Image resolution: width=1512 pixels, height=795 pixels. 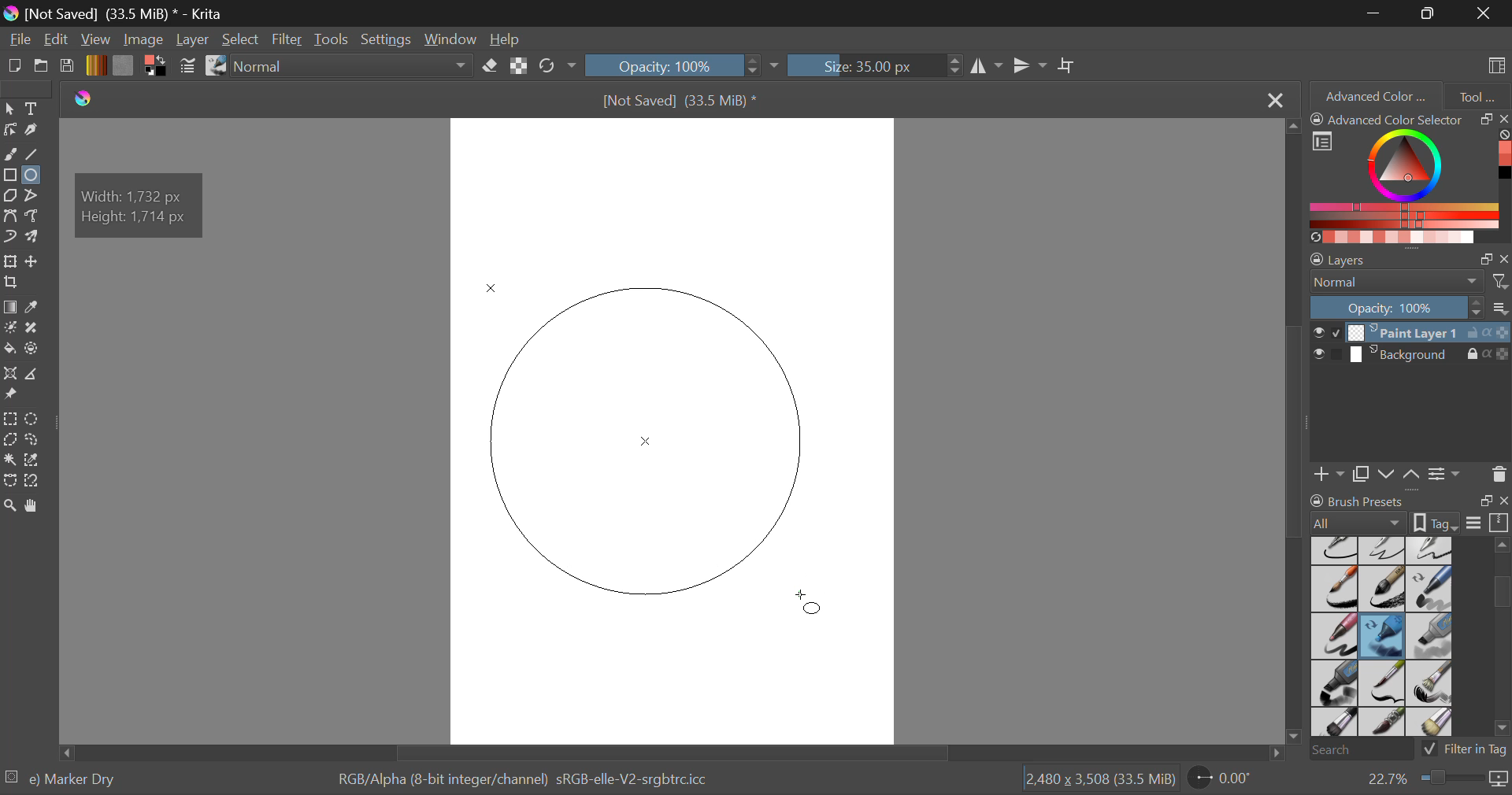 What do you see at coordinates (130, 13) in the screenshot?
I see `[Not Saved] (33.5 MiB) * - Krita` at bounding box center [130, 13].